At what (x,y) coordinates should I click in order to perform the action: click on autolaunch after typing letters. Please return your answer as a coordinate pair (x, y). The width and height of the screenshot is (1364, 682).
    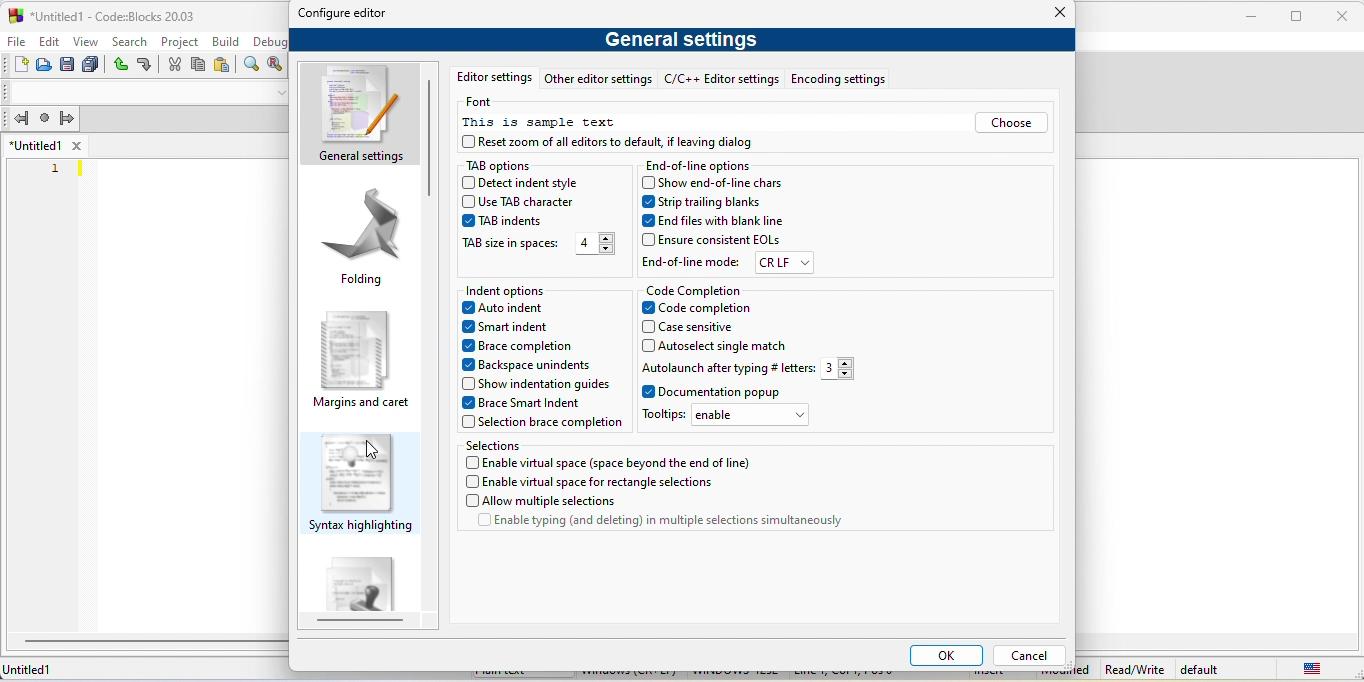
    Looking at the image, I should click on (758, 369).